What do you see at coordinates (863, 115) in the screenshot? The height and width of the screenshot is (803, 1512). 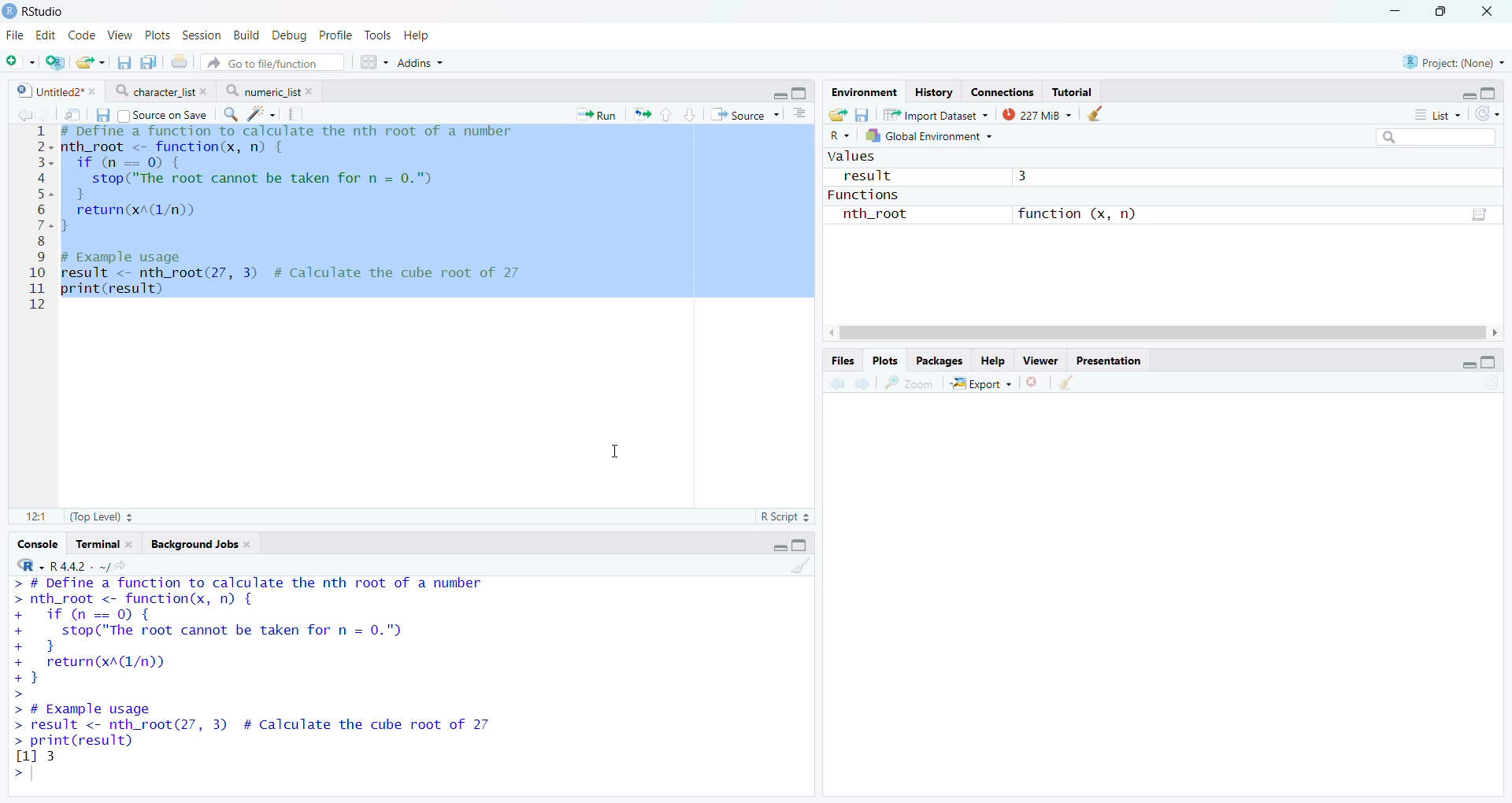 I see `Save` at bounding box center [863, 115].